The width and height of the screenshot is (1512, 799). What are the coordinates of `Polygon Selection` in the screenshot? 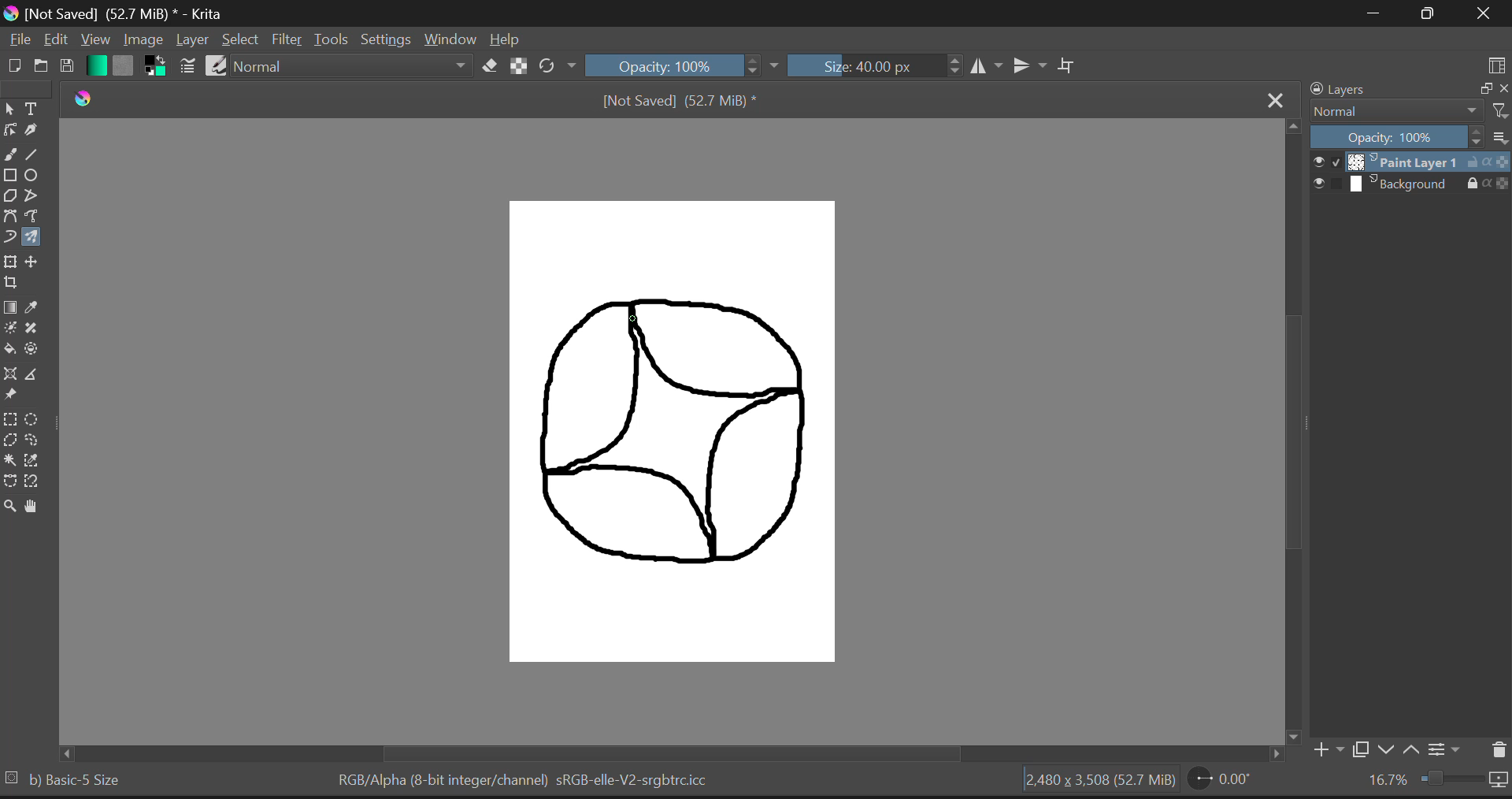 It's located at (10, 440).